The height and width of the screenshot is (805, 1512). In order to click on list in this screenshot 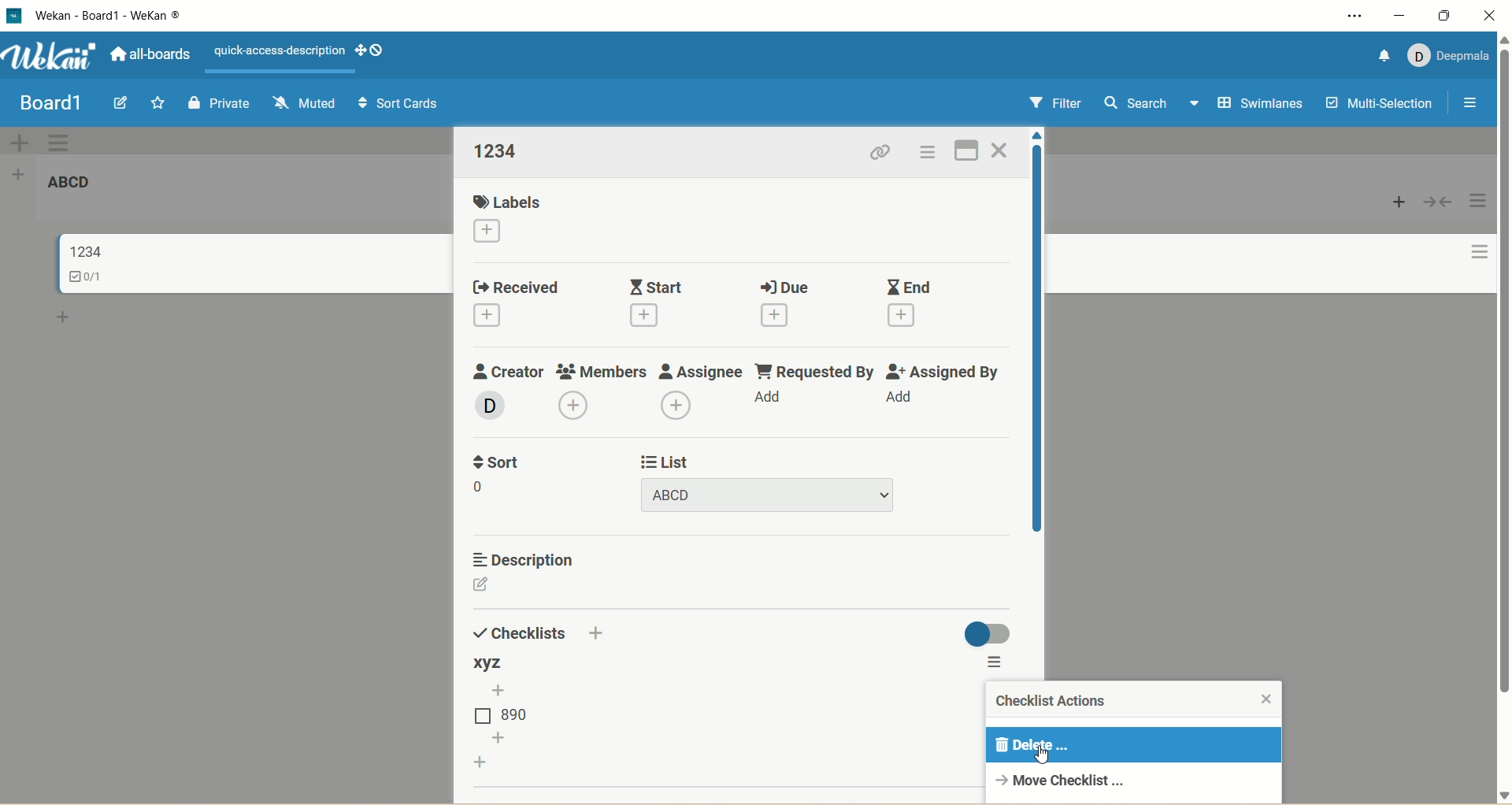, I will do `click(505, 711)`.